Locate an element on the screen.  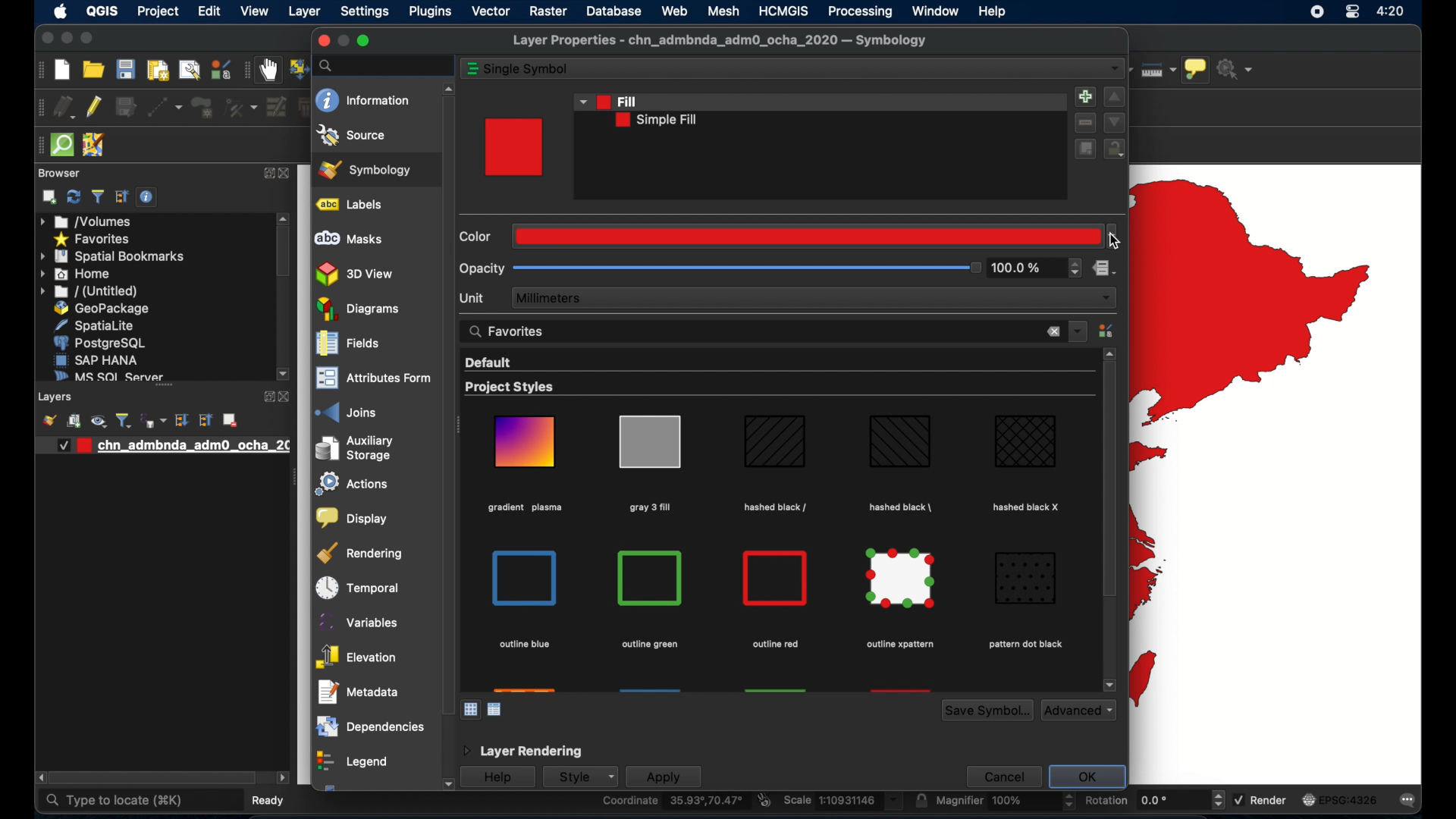
apply is located at coordinates (664, 777).